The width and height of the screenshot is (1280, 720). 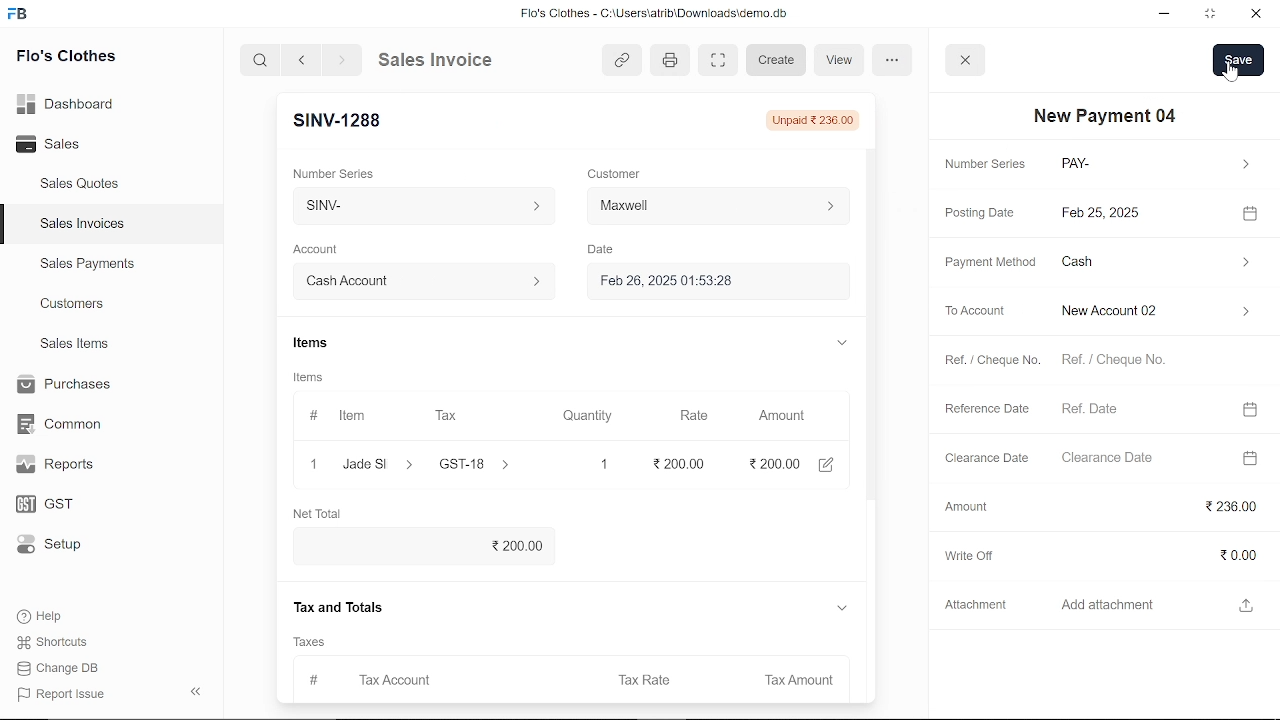 I want to click on SINV- , so click(x=420, y=205).